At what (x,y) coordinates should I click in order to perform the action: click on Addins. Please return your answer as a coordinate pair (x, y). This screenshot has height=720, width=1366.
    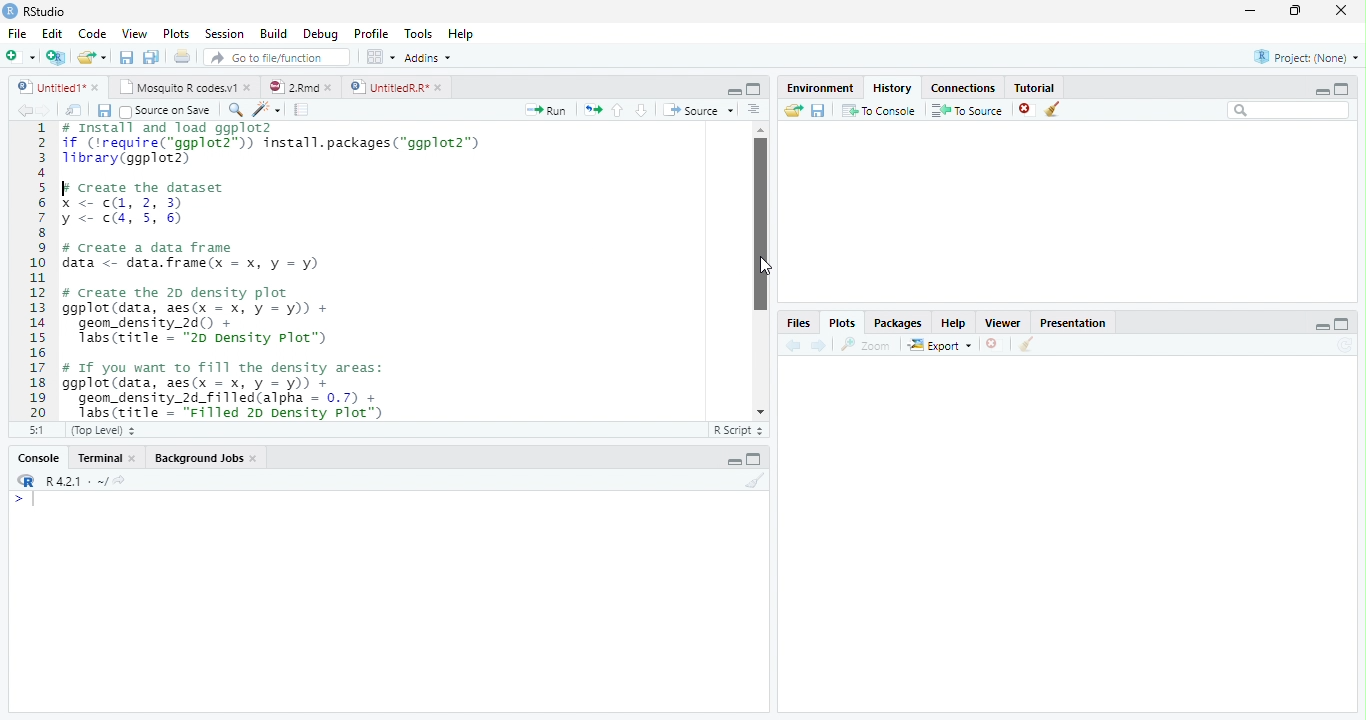
    Looking at the image, I should click on (427, 57).